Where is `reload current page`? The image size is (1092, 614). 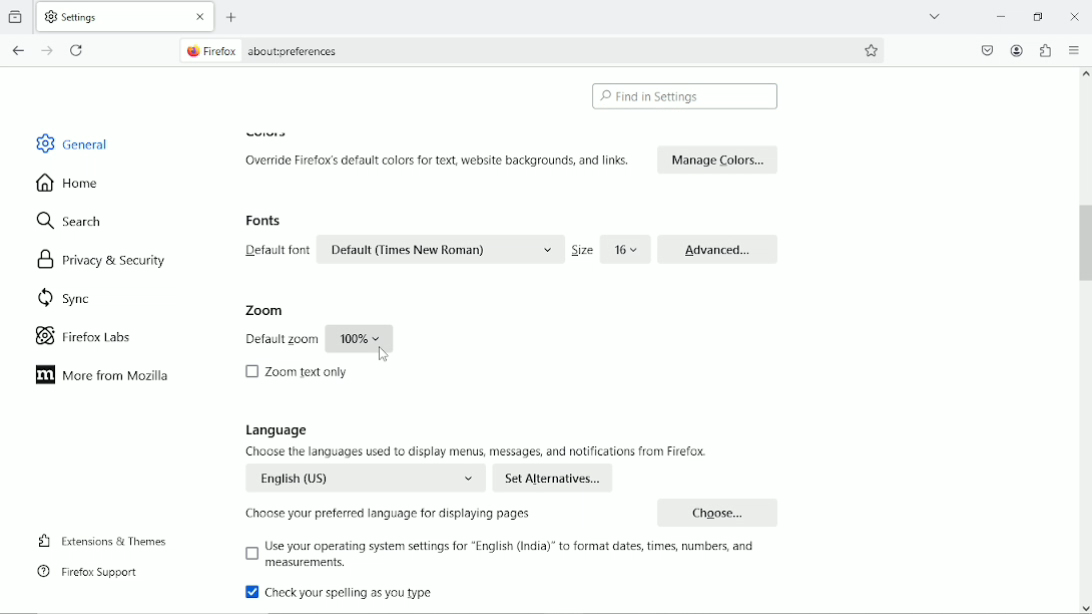 reload current page is located at coordinates (78, 49).